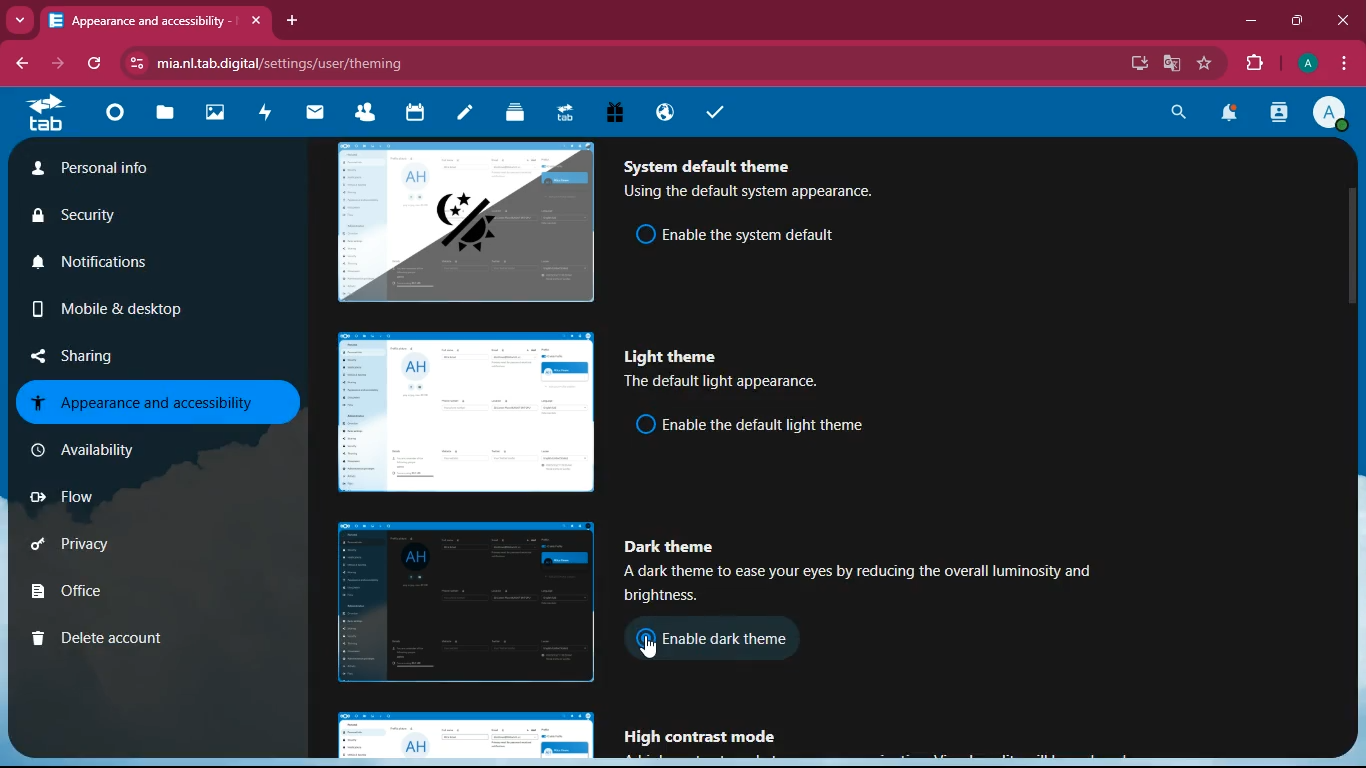 This screenshot has height=768, width=1366. Describe the element at coordinates (463, 414) in the screenshot. I see `image` at that location.